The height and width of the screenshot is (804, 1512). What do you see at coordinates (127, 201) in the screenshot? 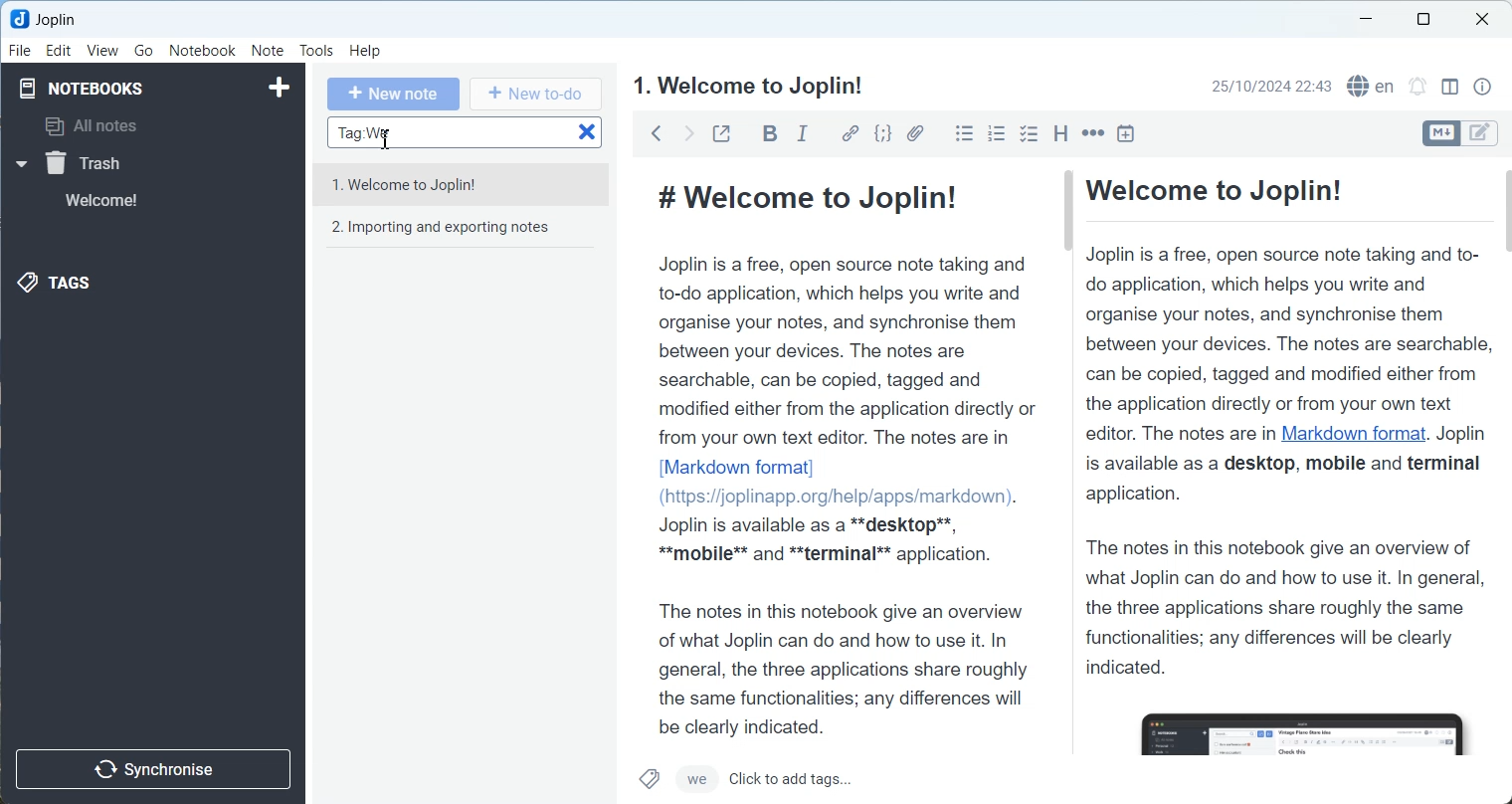
I see `welcome` at bounding box center [127, 201].